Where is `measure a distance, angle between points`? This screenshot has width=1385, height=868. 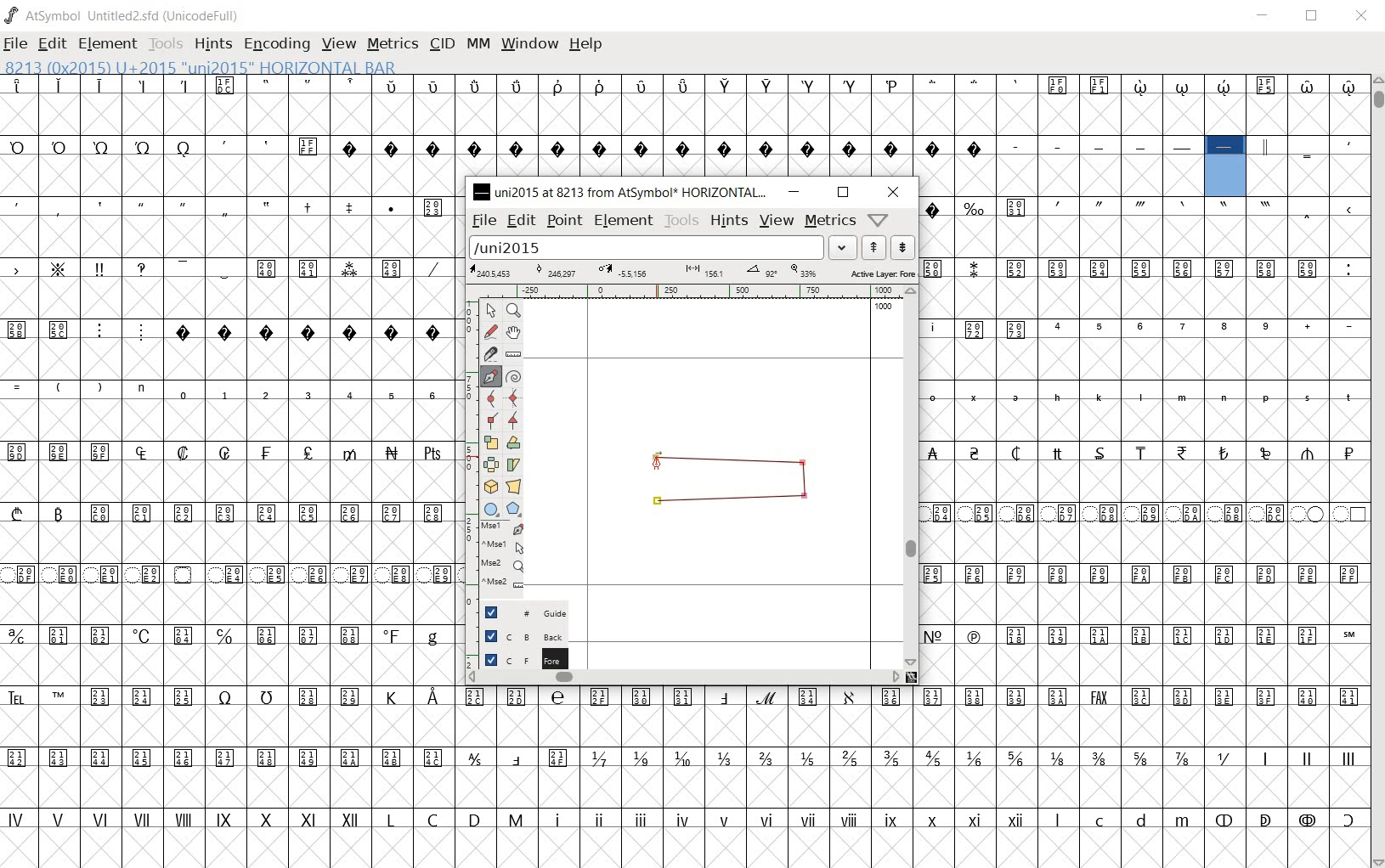 measure a distance, angle between points is located at coordinates (514, 354).